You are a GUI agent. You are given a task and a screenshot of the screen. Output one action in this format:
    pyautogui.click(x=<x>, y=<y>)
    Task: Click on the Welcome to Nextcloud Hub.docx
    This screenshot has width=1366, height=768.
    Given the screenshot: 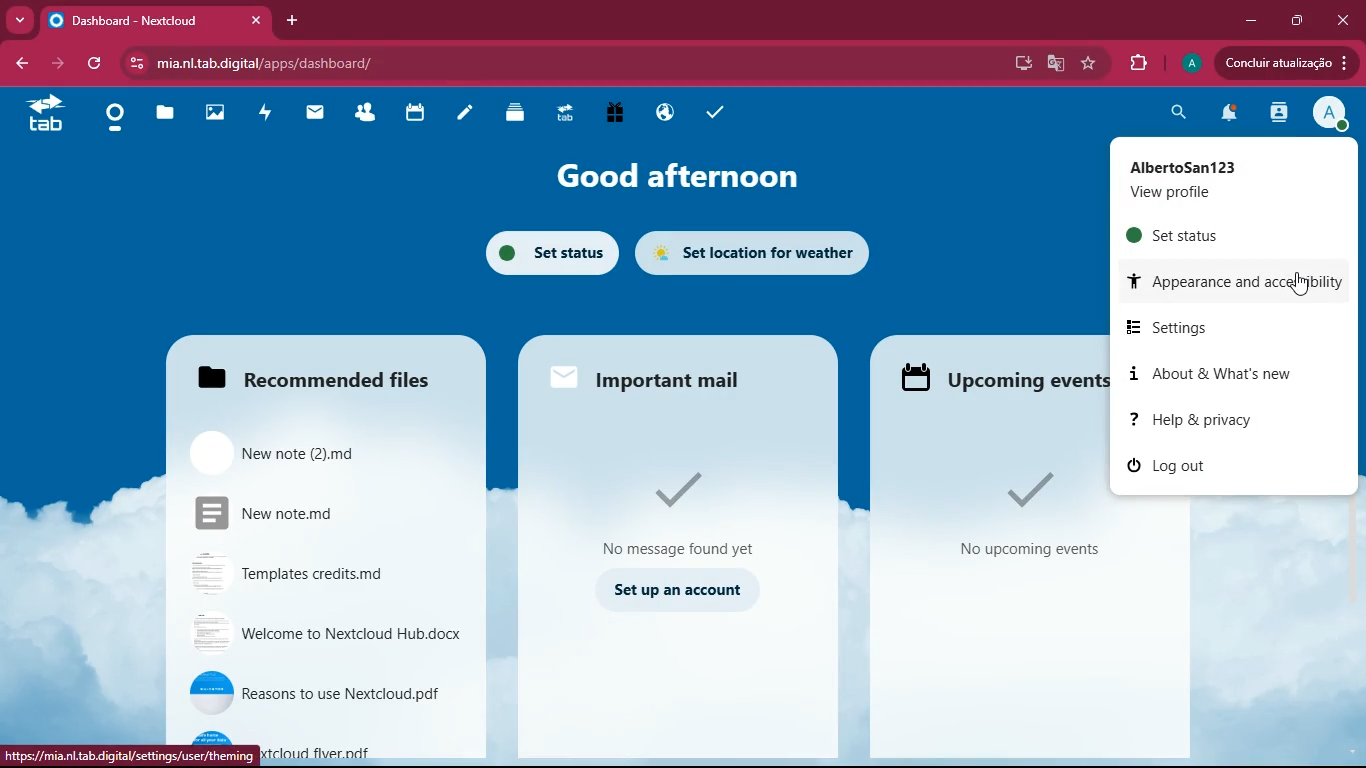 What is the action you would take?
    pyautogui.click(x=328, y=635)
    